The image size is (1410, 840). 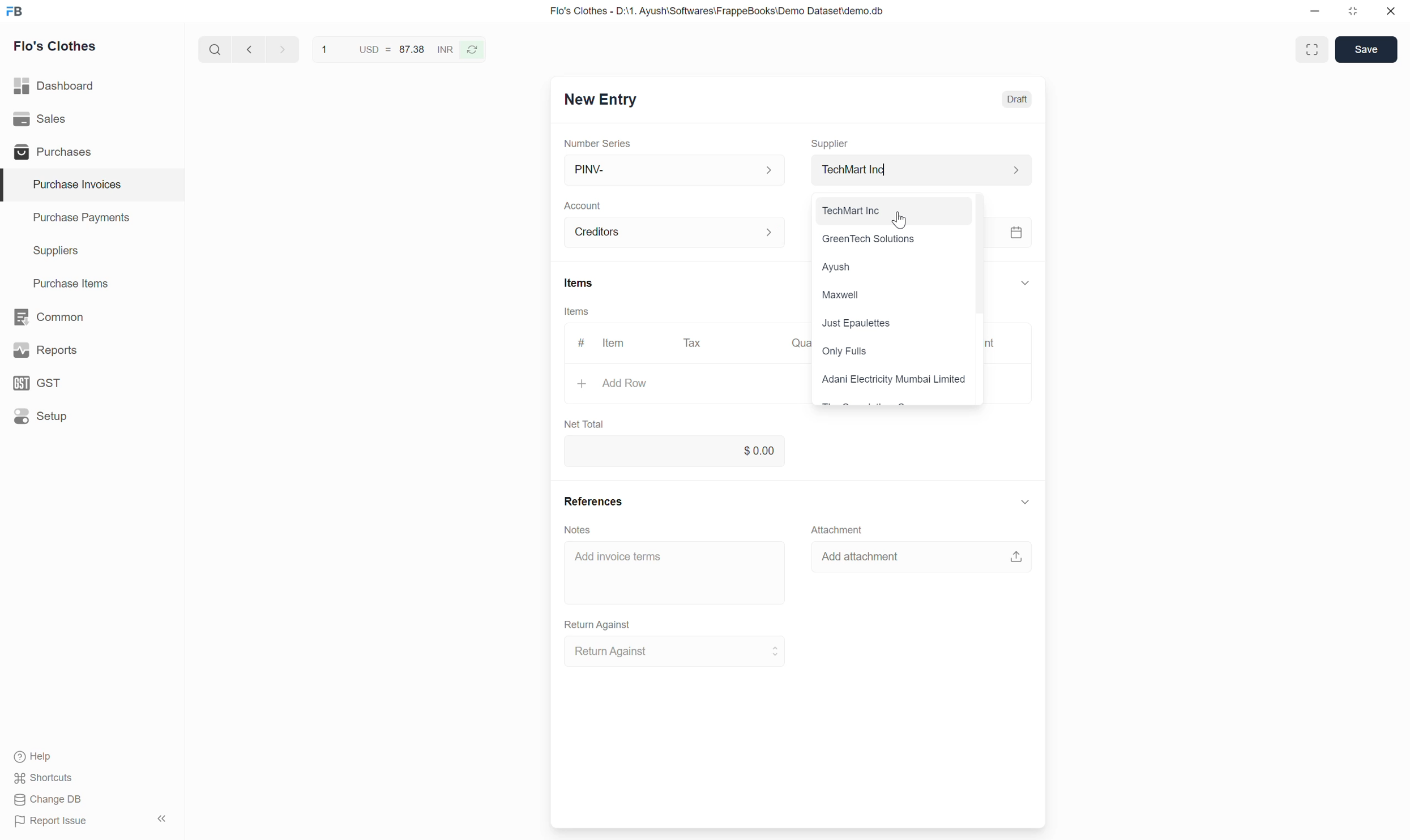 I want to click on Add invoice terms, so click(x=677, y=573).